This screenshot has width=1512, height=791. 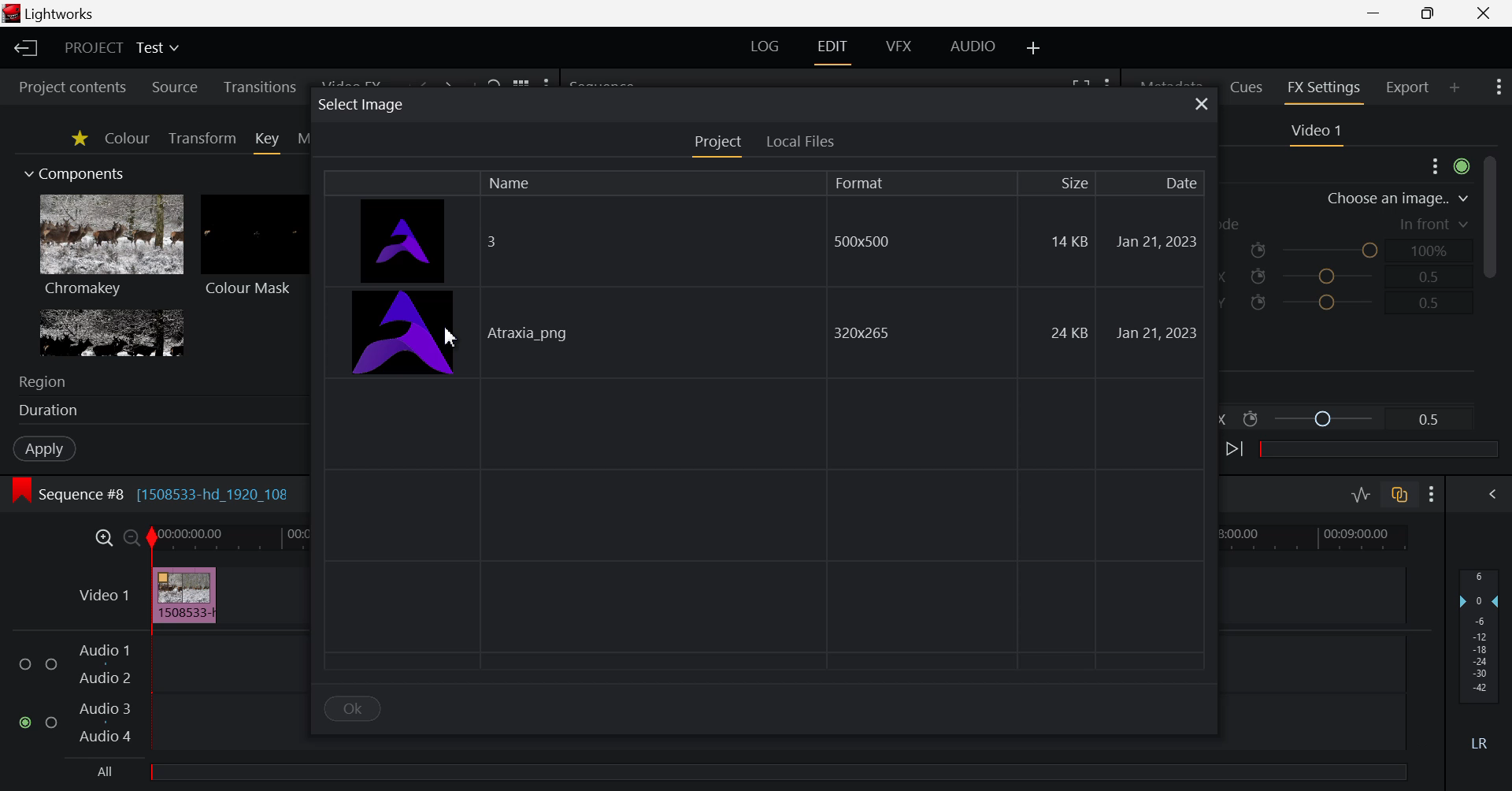 I want to click on Minimize, so click(x=1428, y=13).